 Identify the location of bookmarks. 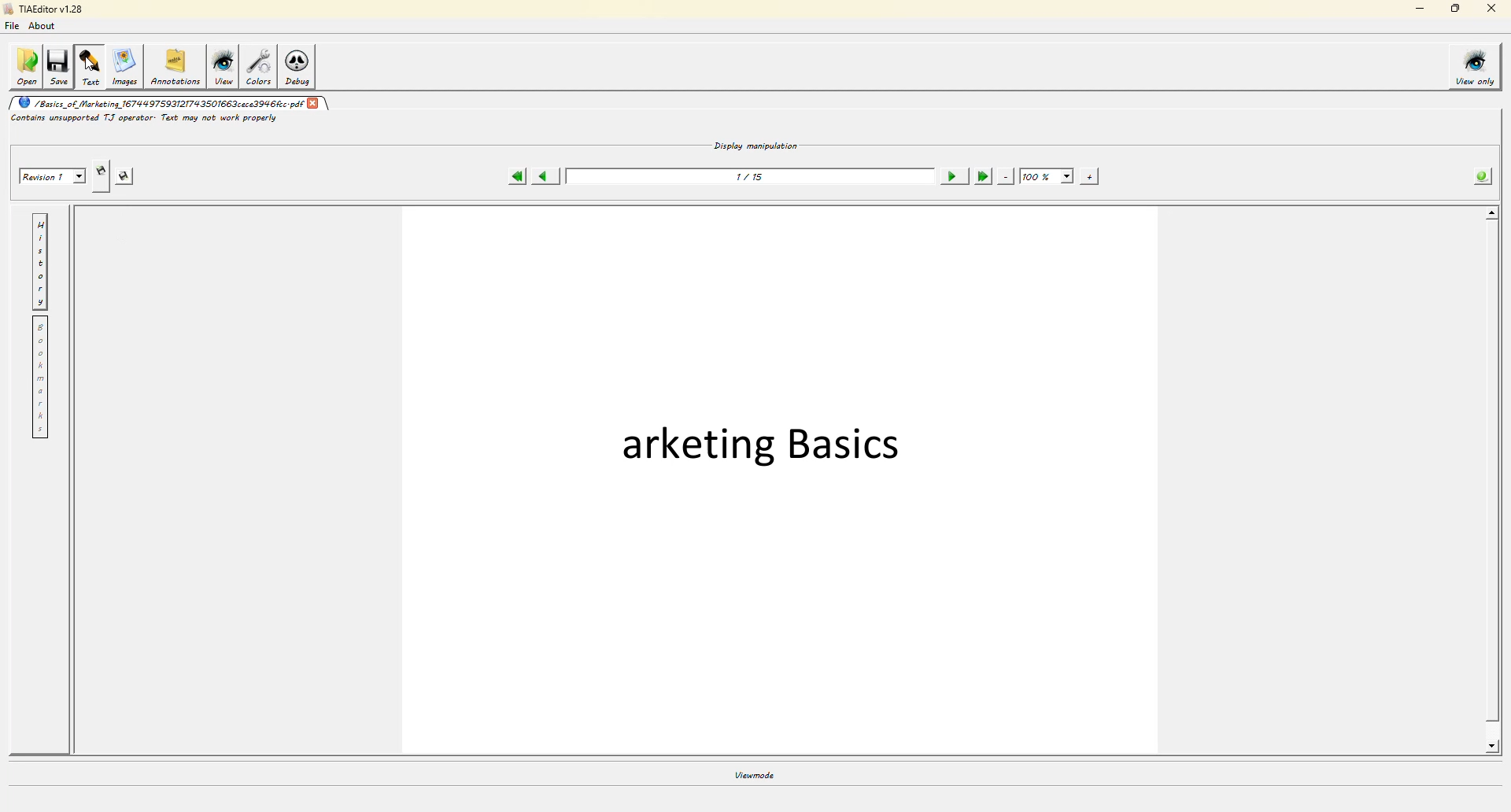
(39, 381).